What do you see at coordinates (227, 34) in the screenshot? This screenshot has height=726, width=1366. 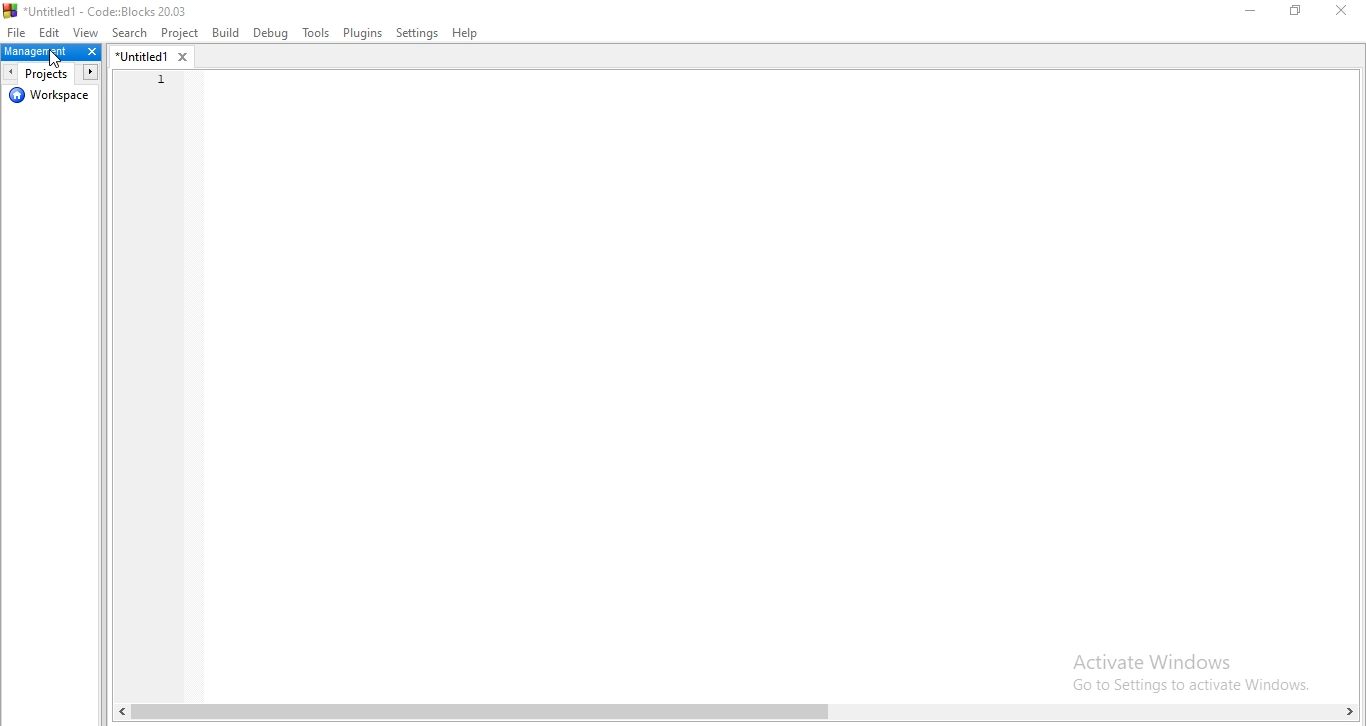 I see `Build ` at bounding box center [227, 34].